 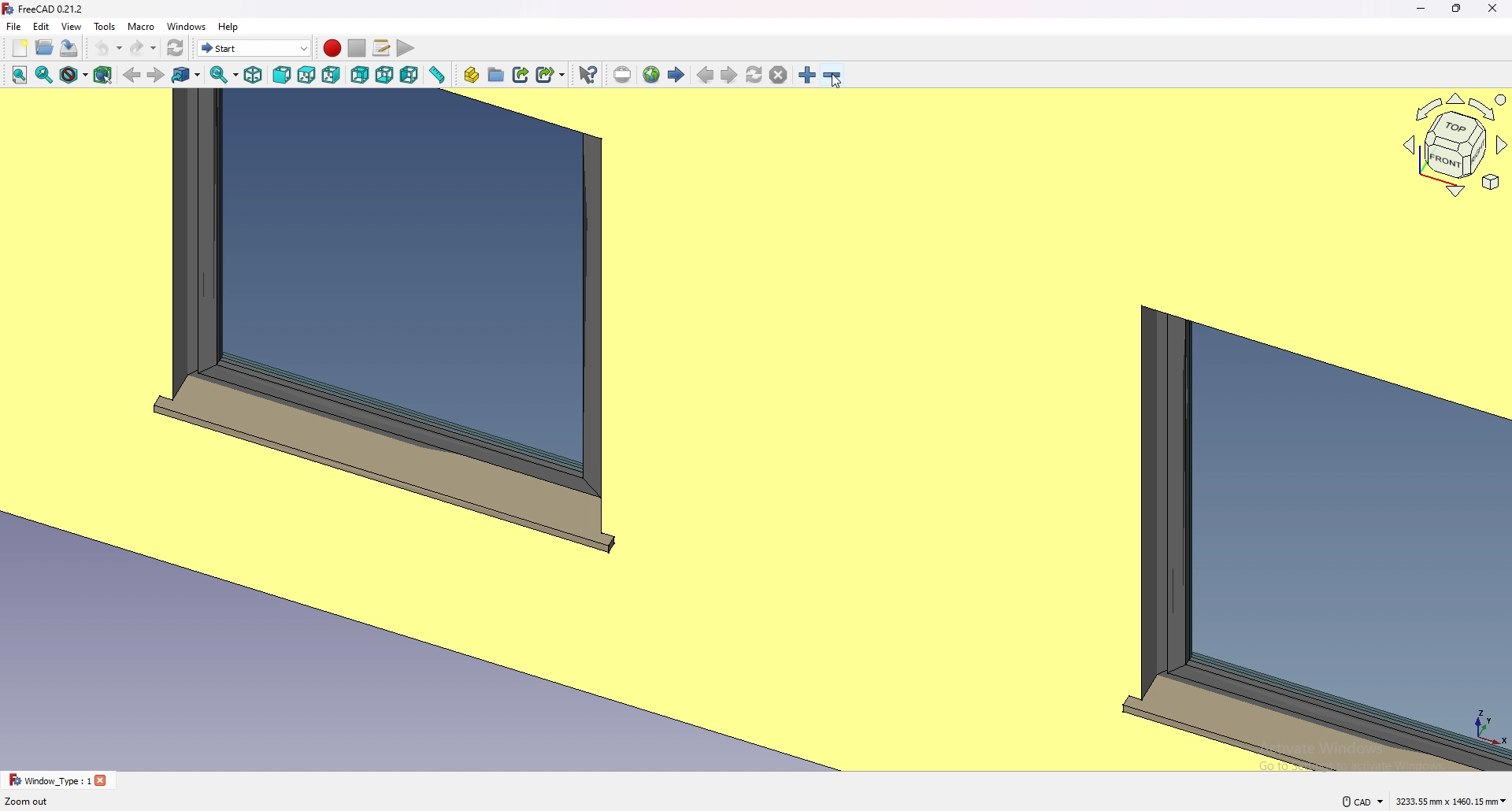 What do you see at coordinates (254, 47) in the screenshot?
I see `switch between workbenches` at bounding box center [254, 47].